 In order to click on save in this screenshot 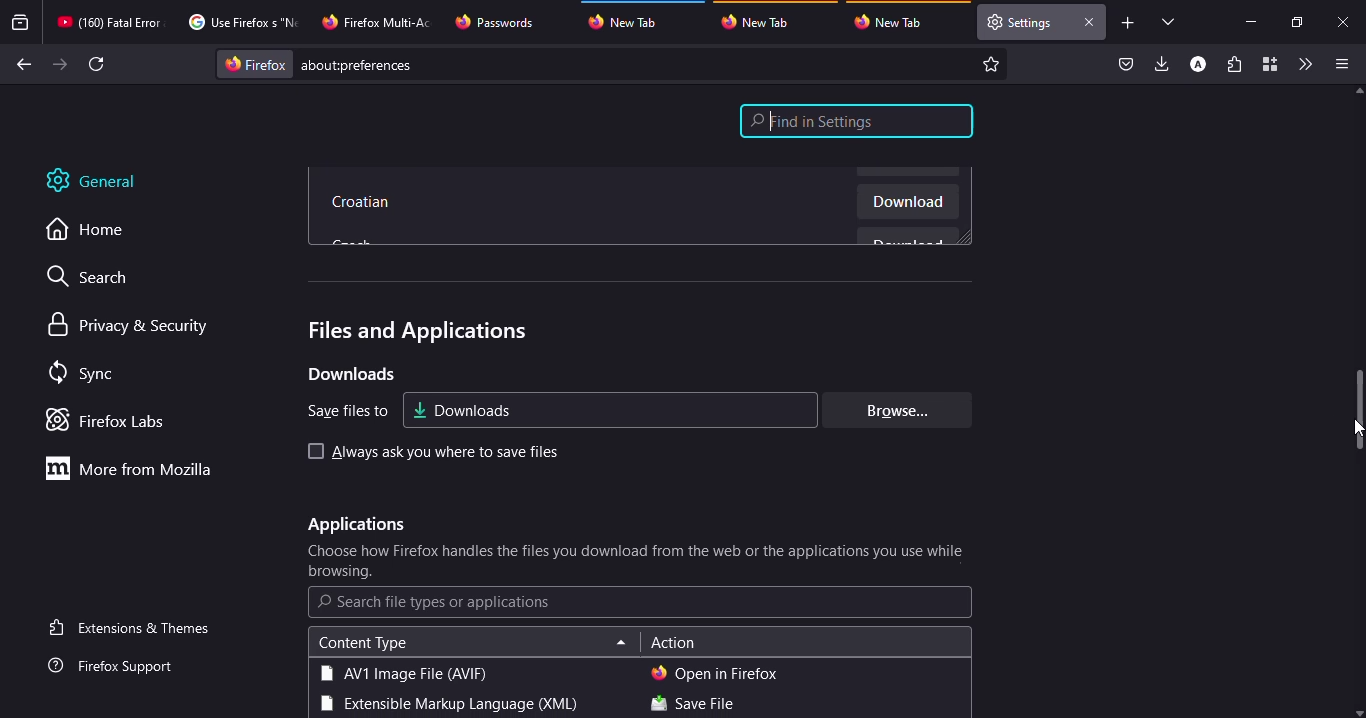, I will do `click(692, 705)`.